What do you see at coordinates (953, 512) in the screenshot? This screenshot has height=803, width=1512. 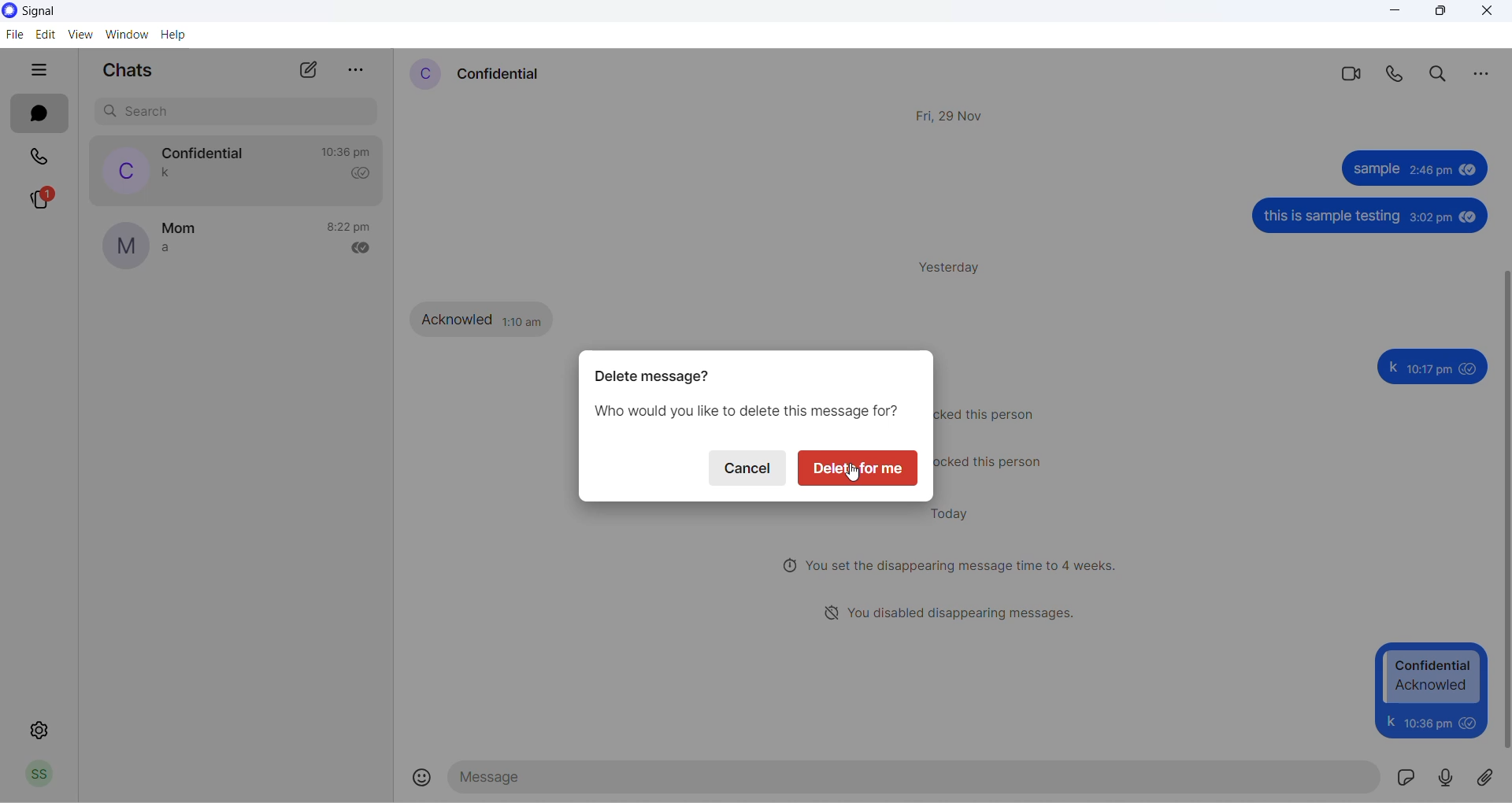 I see `today heading` at bounding box center [953, 512].